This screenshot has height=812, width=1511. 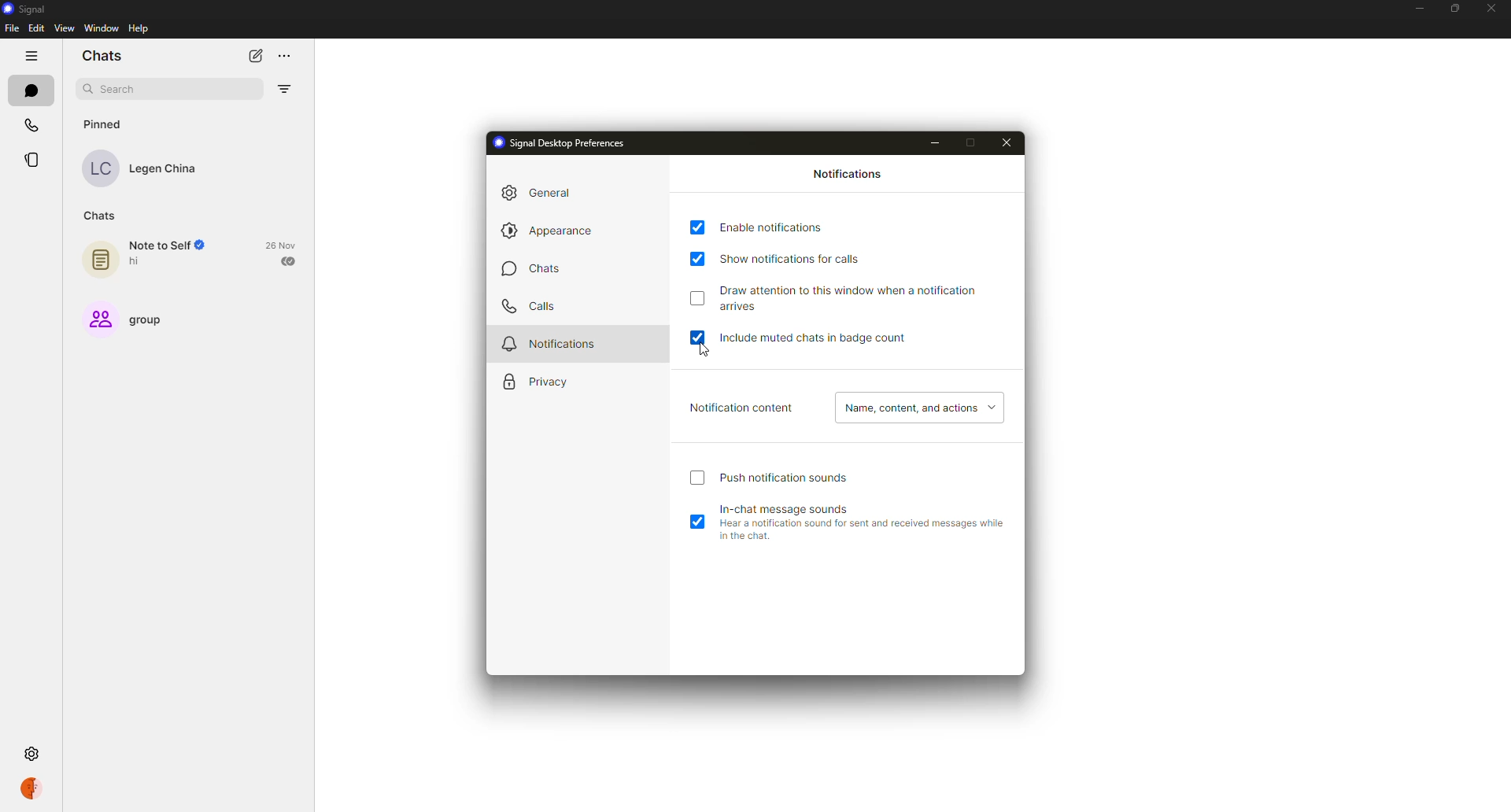 What do you see at coordinates (31, 89) in the screenshot?
I see `chats` at bounding box center [31, 89].